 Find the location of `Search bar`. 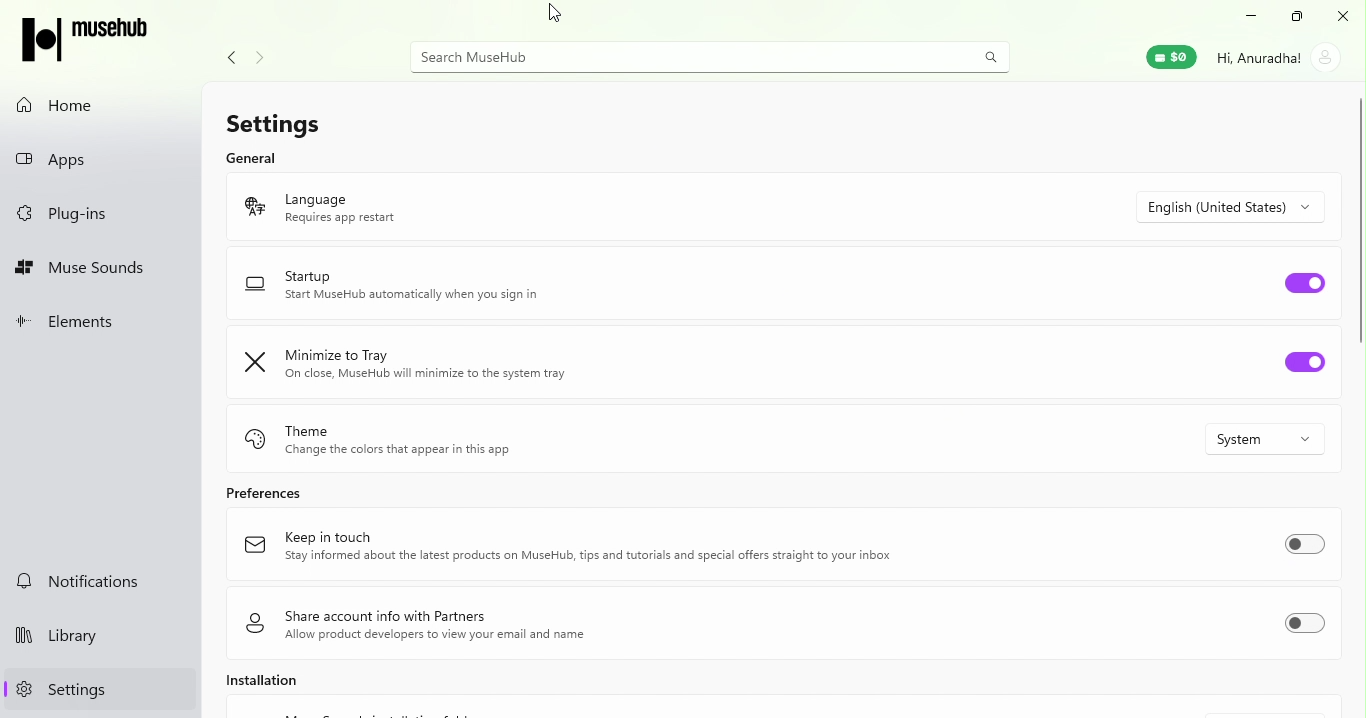

Search bar is located at coordinates (686, 55).